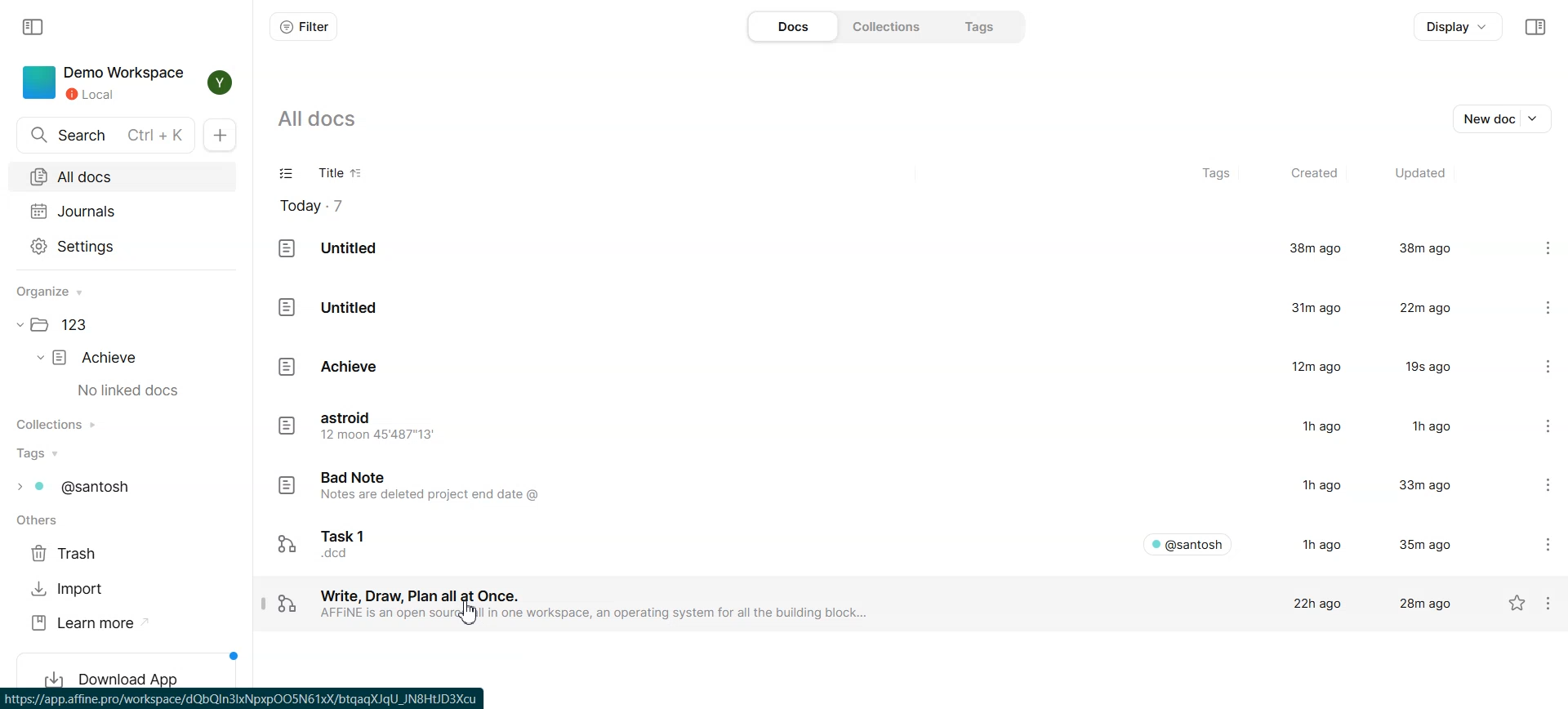 This screenshot has height=709, width=1568. Describe the element at coordinates (216, 82) in the screenshot. I see `Profile` at that location.